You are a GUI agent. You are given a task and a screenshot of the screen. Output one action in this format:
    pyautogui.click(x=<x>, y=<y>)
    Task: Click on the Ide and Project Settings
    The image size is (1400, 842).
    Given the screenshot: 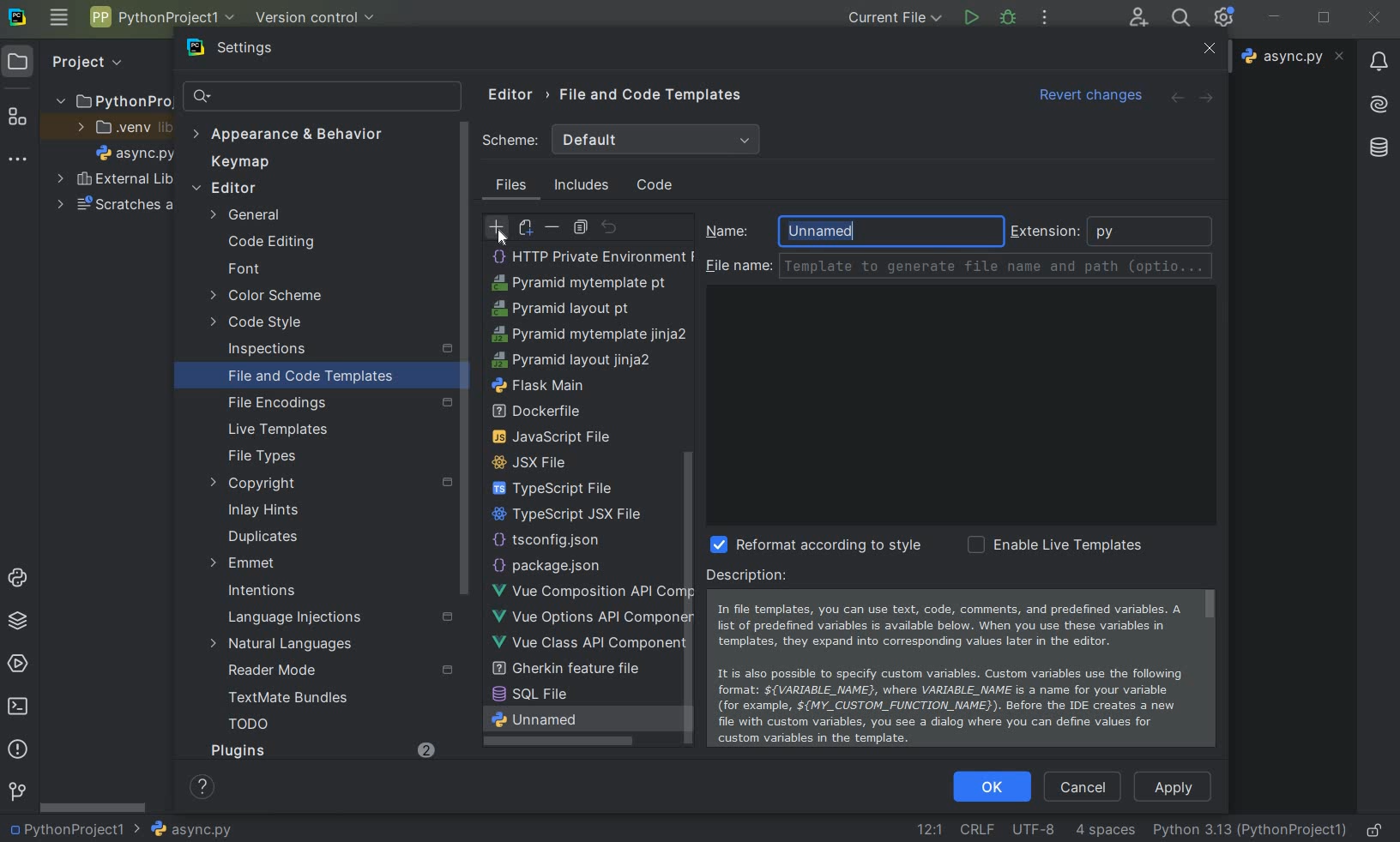 What is the action you would take?
    pyautogui.click(x=1227, y=19)
    